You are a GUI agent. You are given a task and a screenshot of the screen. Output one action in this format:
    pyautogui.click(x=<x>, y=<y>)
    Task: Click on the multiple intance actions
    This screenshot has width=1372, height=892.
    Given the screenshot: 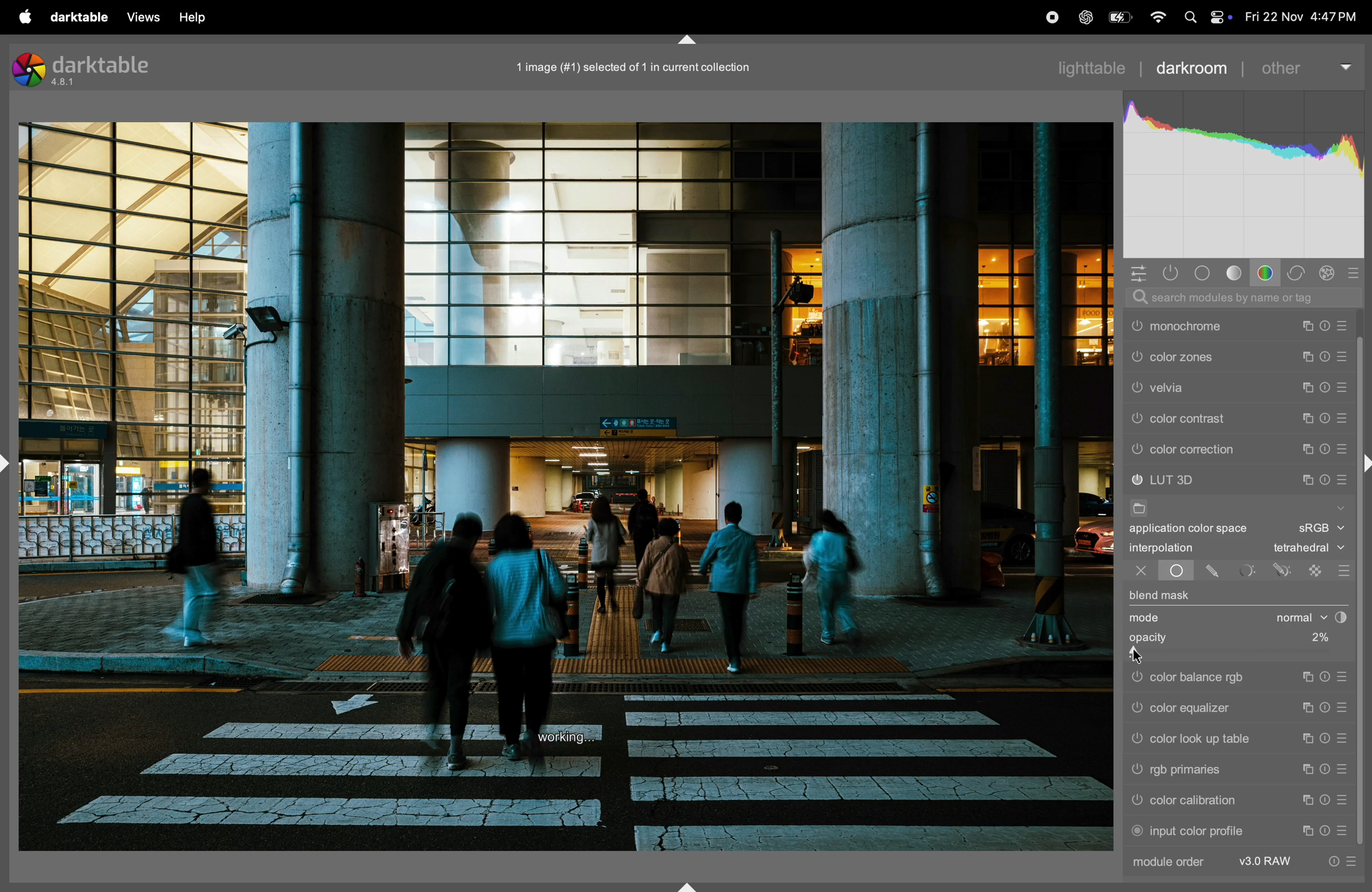 What is the action you would take?
    pyautogui.click(x=1303, y=323)
    